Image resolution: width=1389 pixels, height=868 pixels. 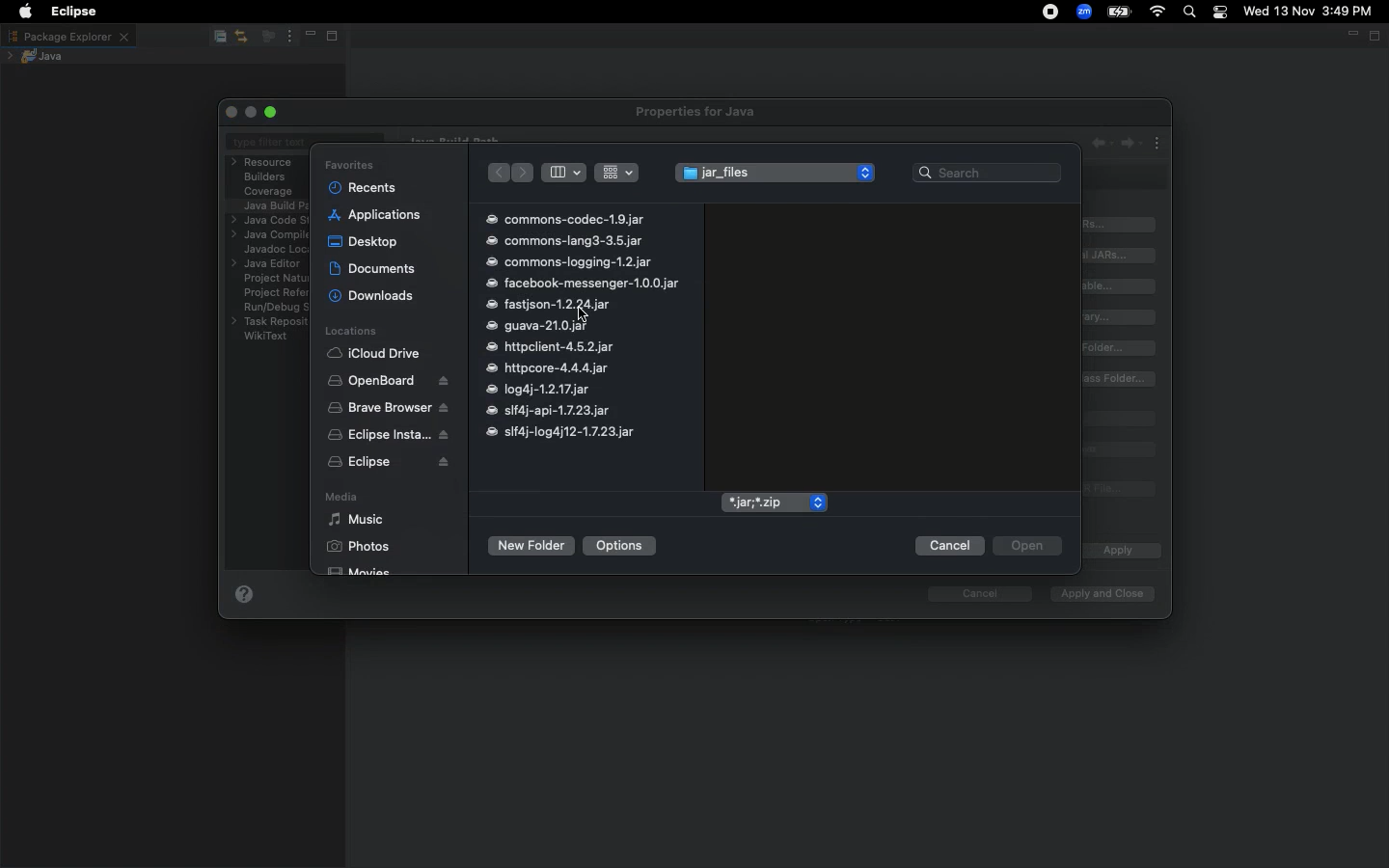 What do you see at coordinates (276, 204) in the screenshot?
I see `Java build path` at bounding box center [276, 204].